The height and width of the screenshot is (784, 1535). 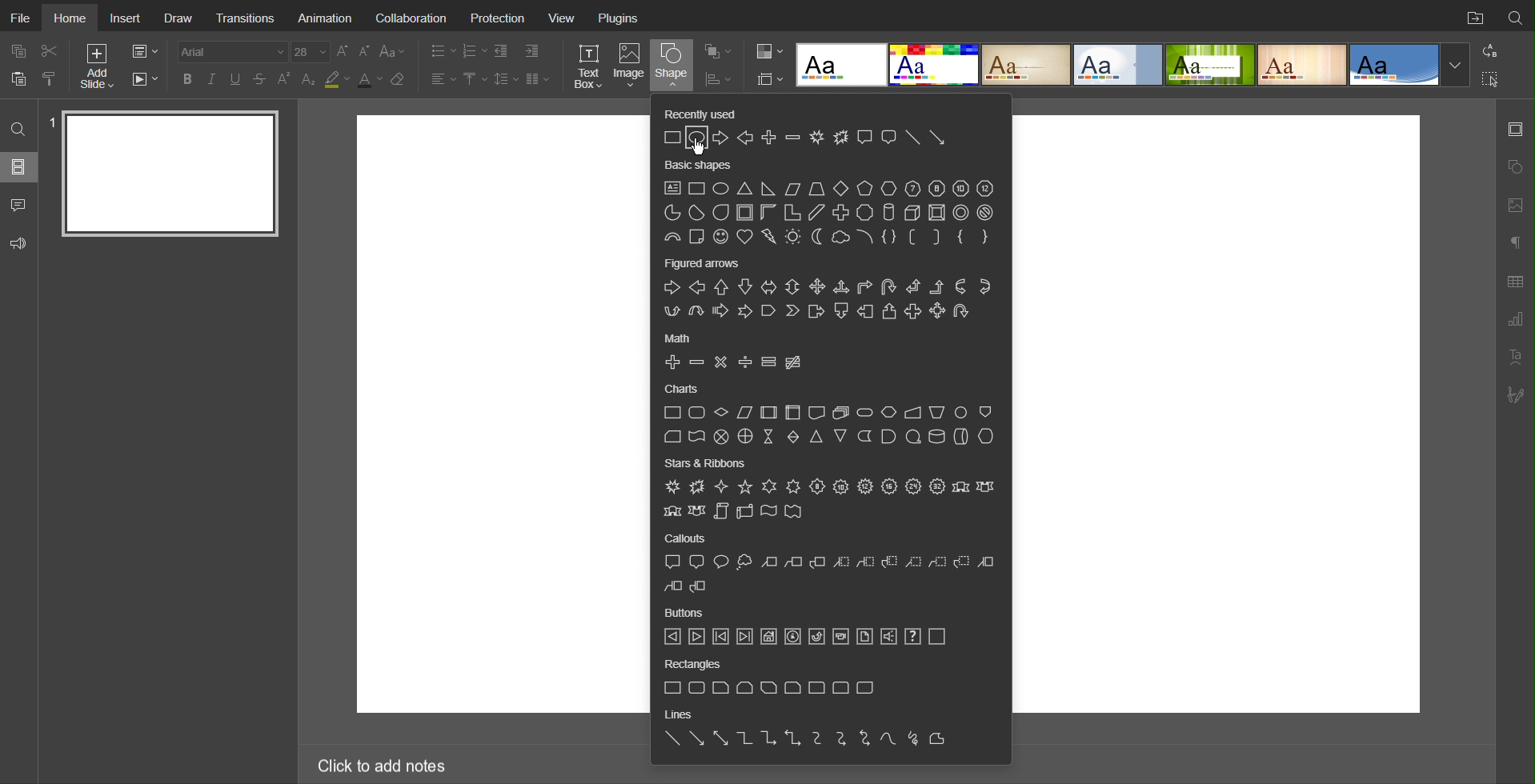 I want to click on Strikethrough, so click(x=260, y=79).